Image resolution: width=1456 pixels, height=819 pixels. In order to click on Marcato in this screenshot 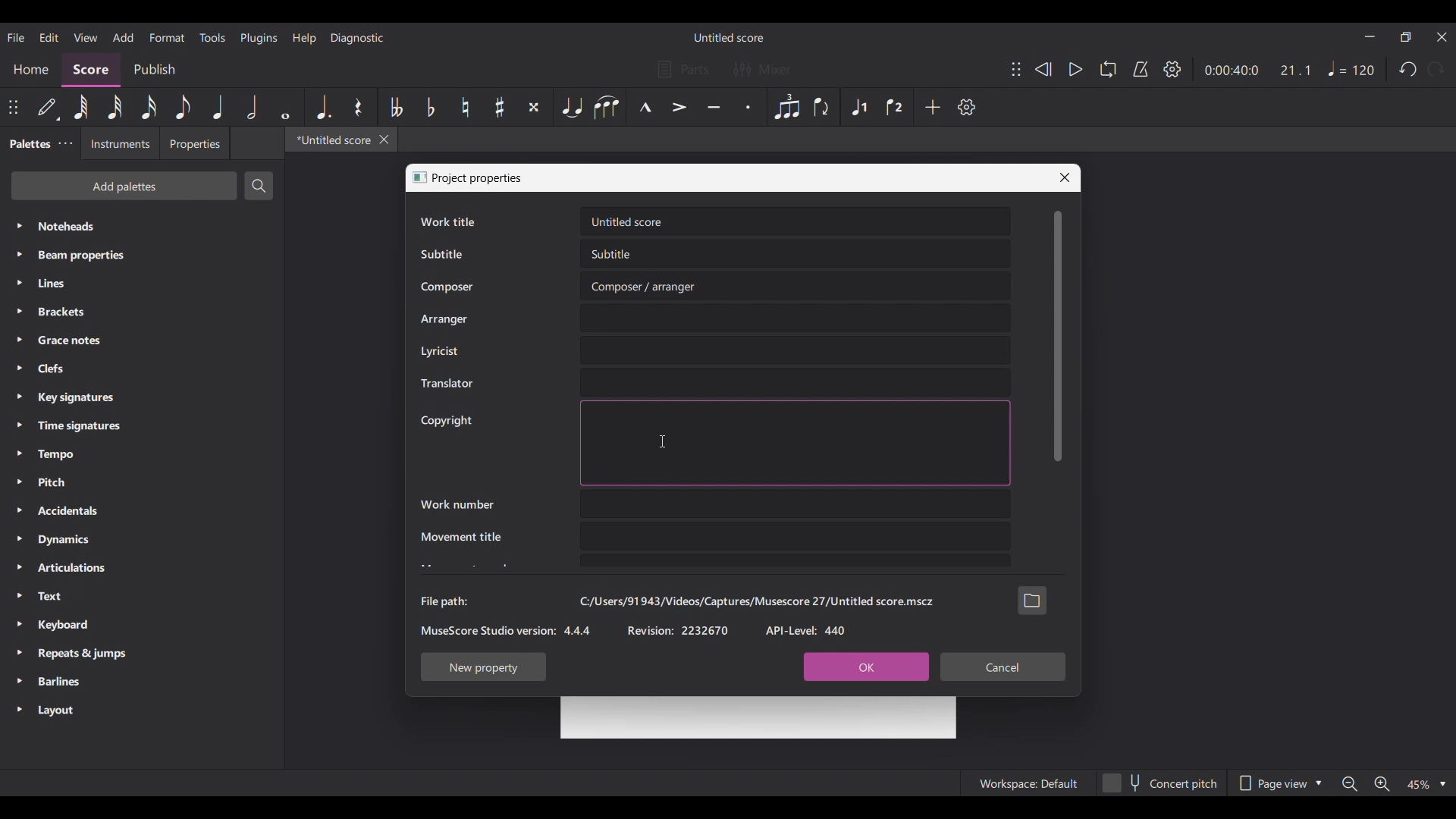, I will do `click(645, 107)`.